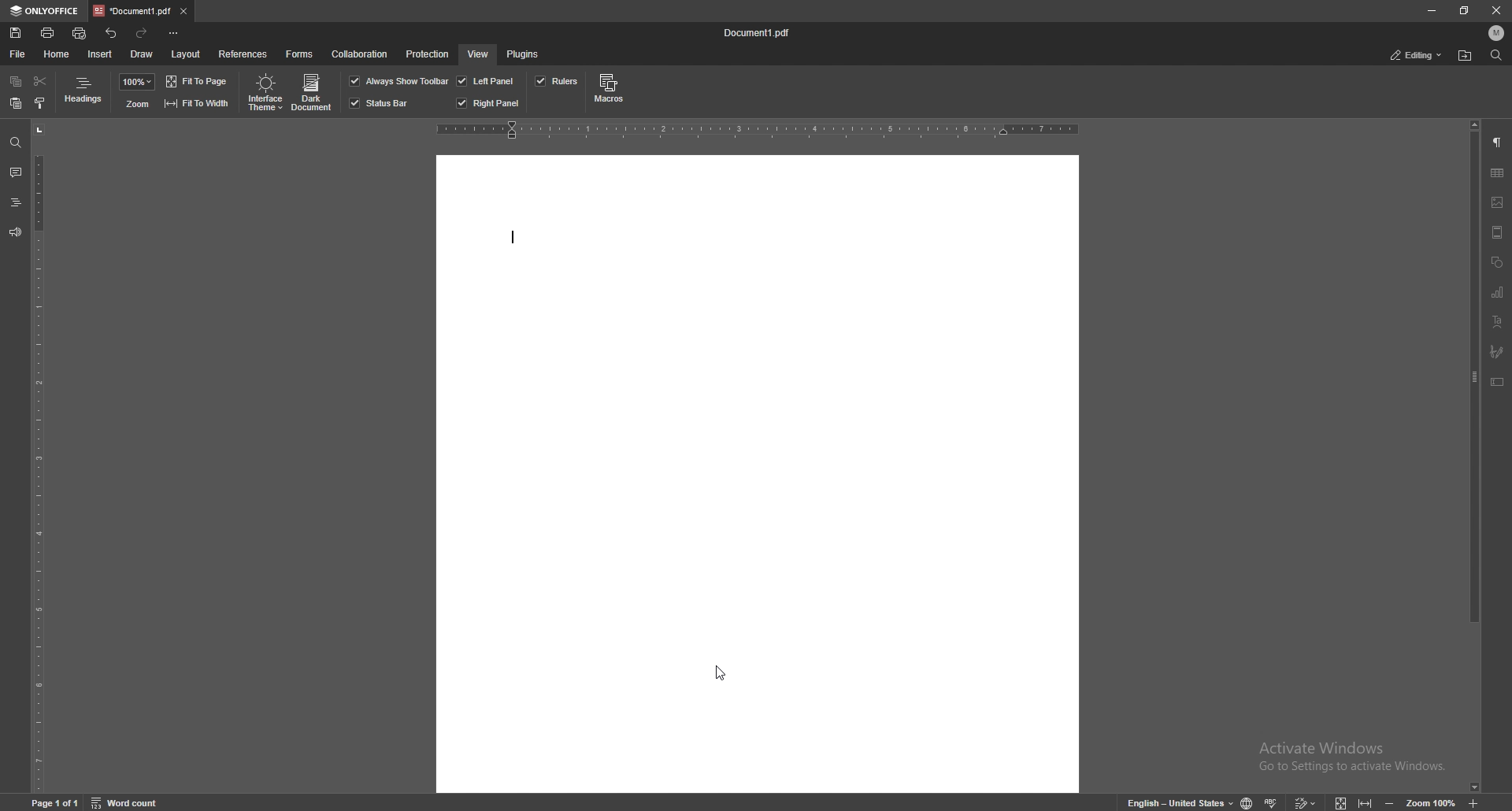 The height and width of the screenshot is (811, 1512). I want to click on zoom out, so click(1392, 802).